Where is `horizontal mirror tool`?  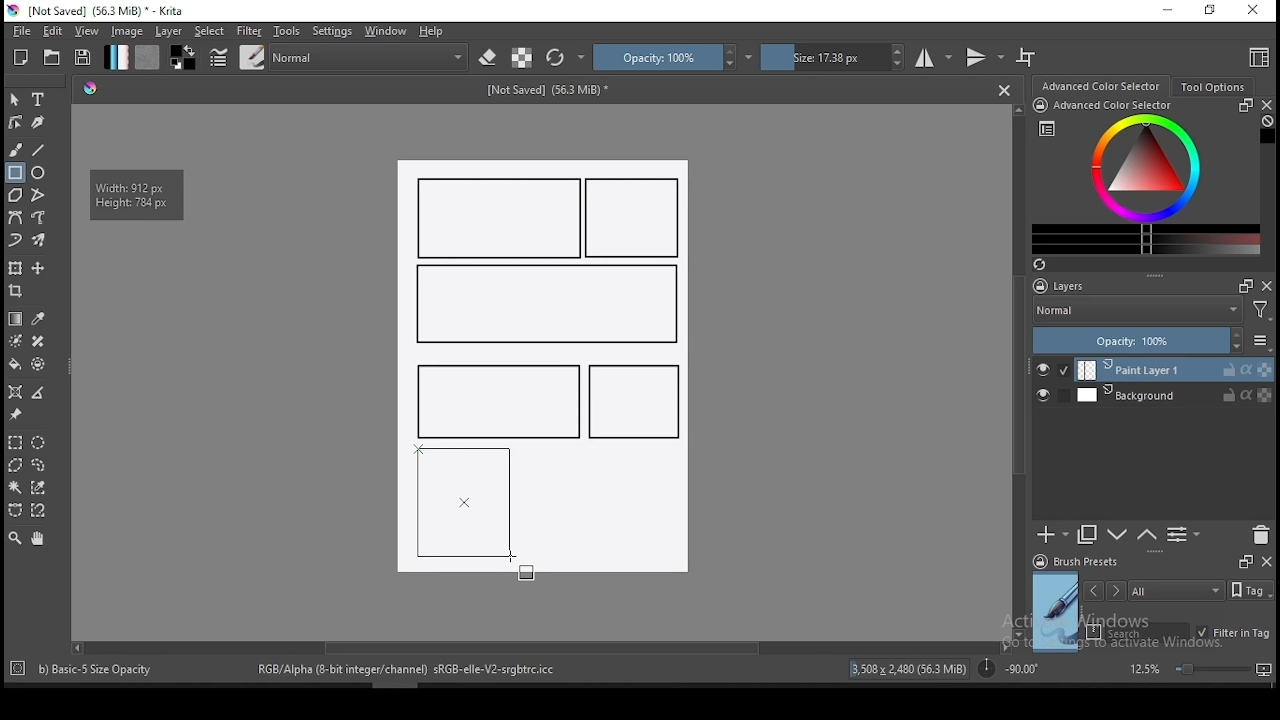 horizontal mirror tool is located at coordinates (934, 57).